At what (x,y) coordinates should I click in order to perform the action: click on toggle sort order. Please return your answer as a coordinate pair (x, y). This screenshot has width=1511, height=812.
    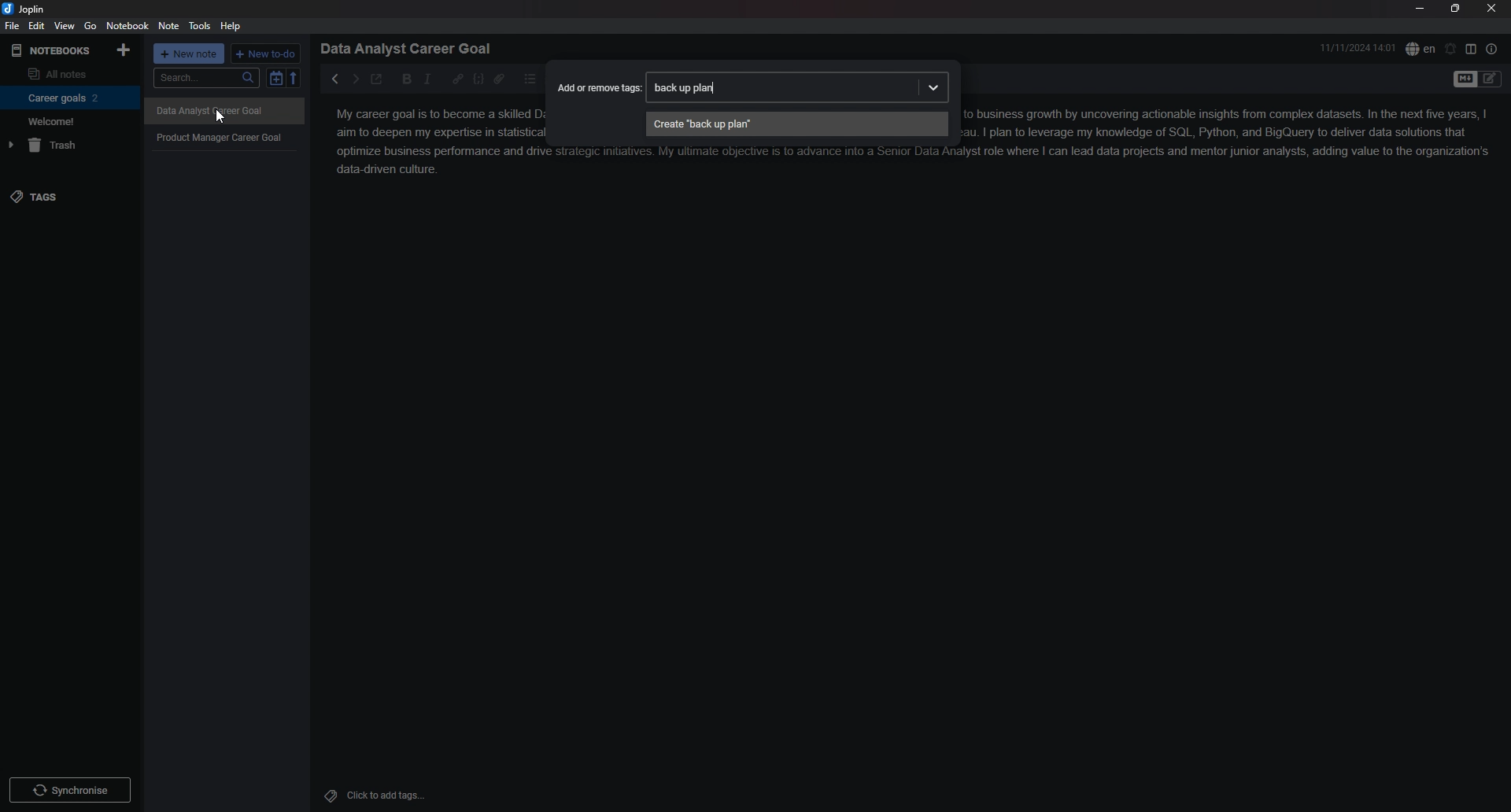
    Looking at the image, I should click on (275, 78).